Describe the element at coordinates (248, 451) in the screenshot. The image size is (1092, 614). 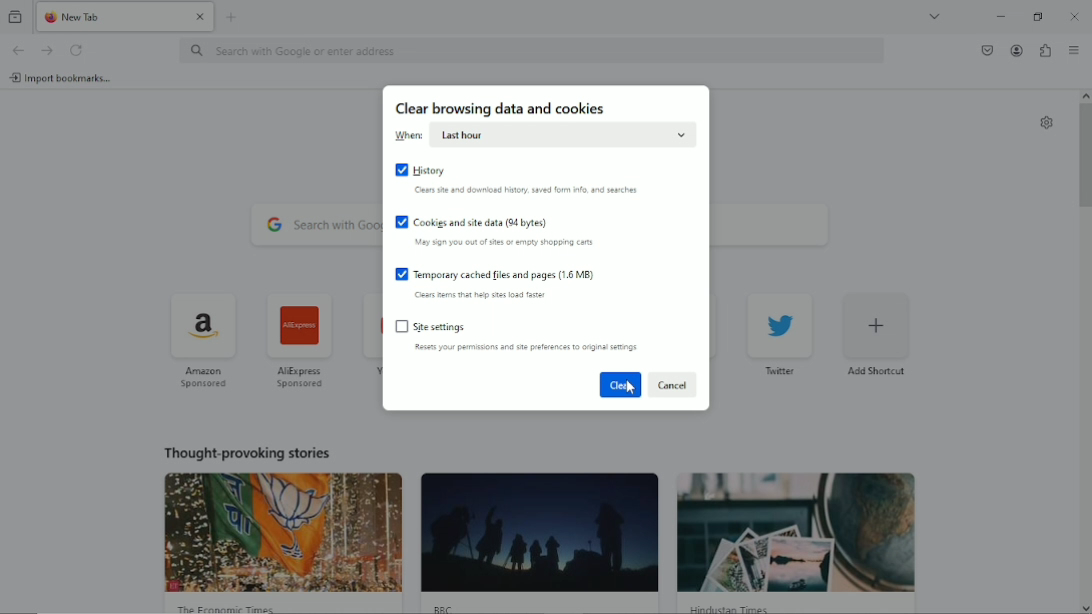
I see `Thought provoking stories` at that location.